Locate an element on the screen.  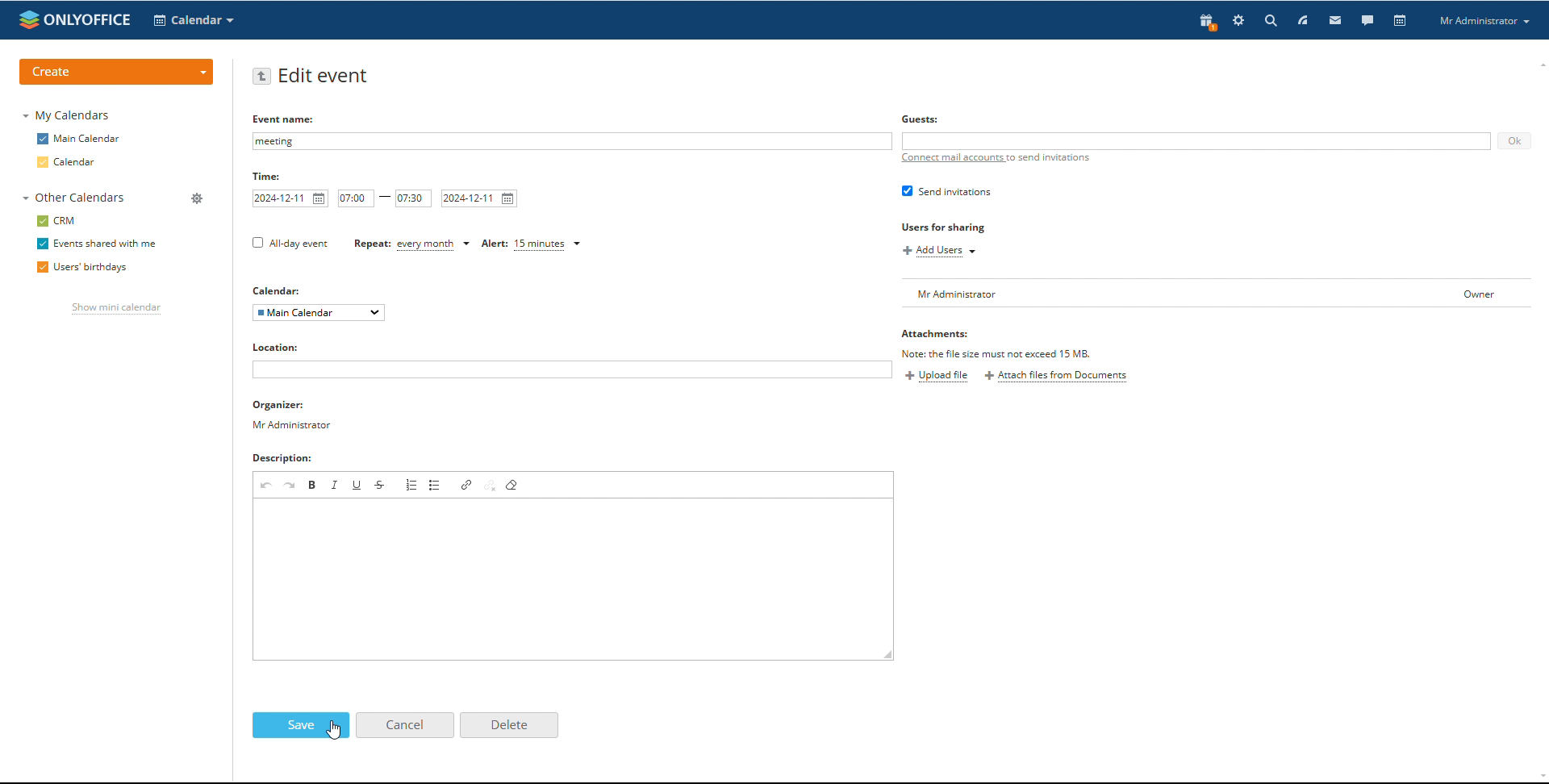
search is located at coordinates (1322, 21).